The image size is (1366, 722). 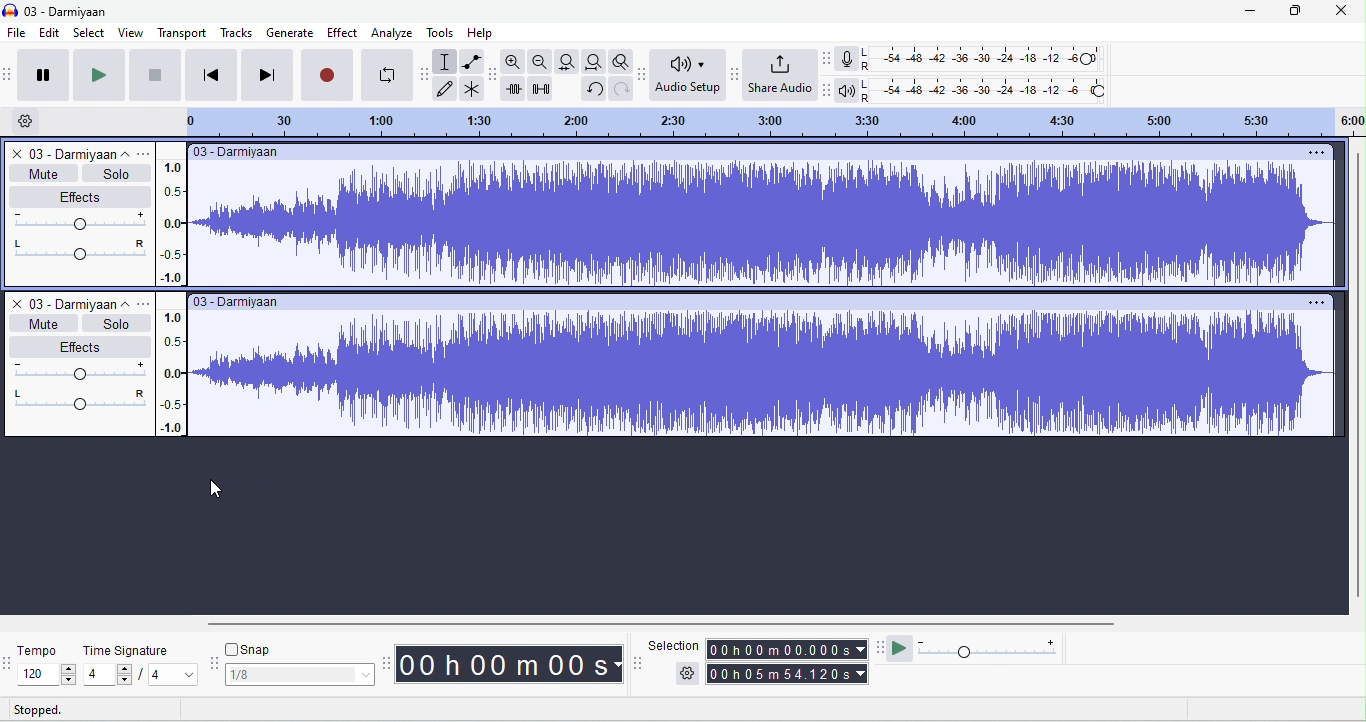 What do you see at coordinates (46, 710) in the screenshot?
I see `stopped` at bounding box center [46, 710].